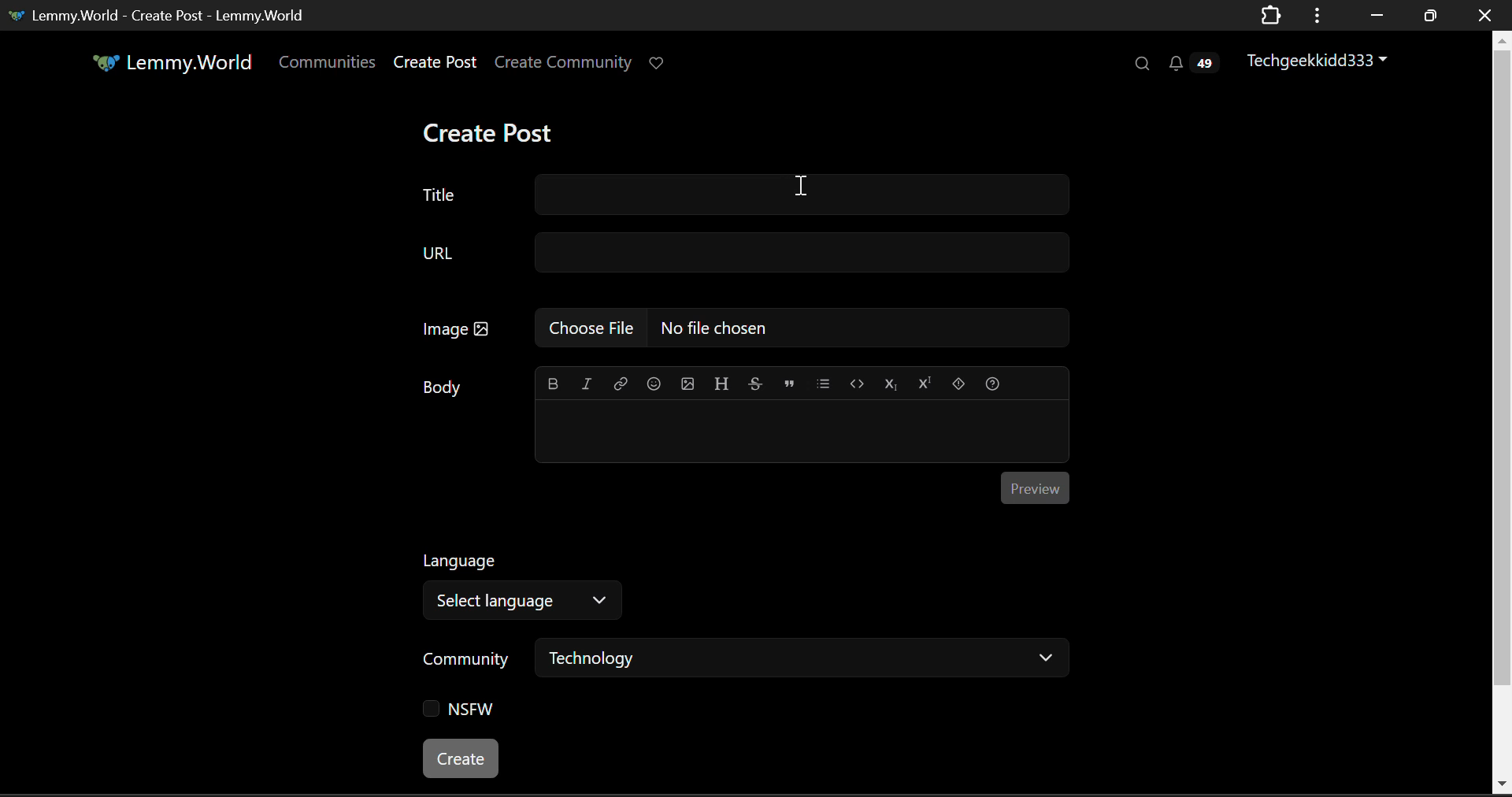  What do you see at coordinates (329, 61) in the screenshot?
I see `Communities Page Open` at bounding box center [329, 61].